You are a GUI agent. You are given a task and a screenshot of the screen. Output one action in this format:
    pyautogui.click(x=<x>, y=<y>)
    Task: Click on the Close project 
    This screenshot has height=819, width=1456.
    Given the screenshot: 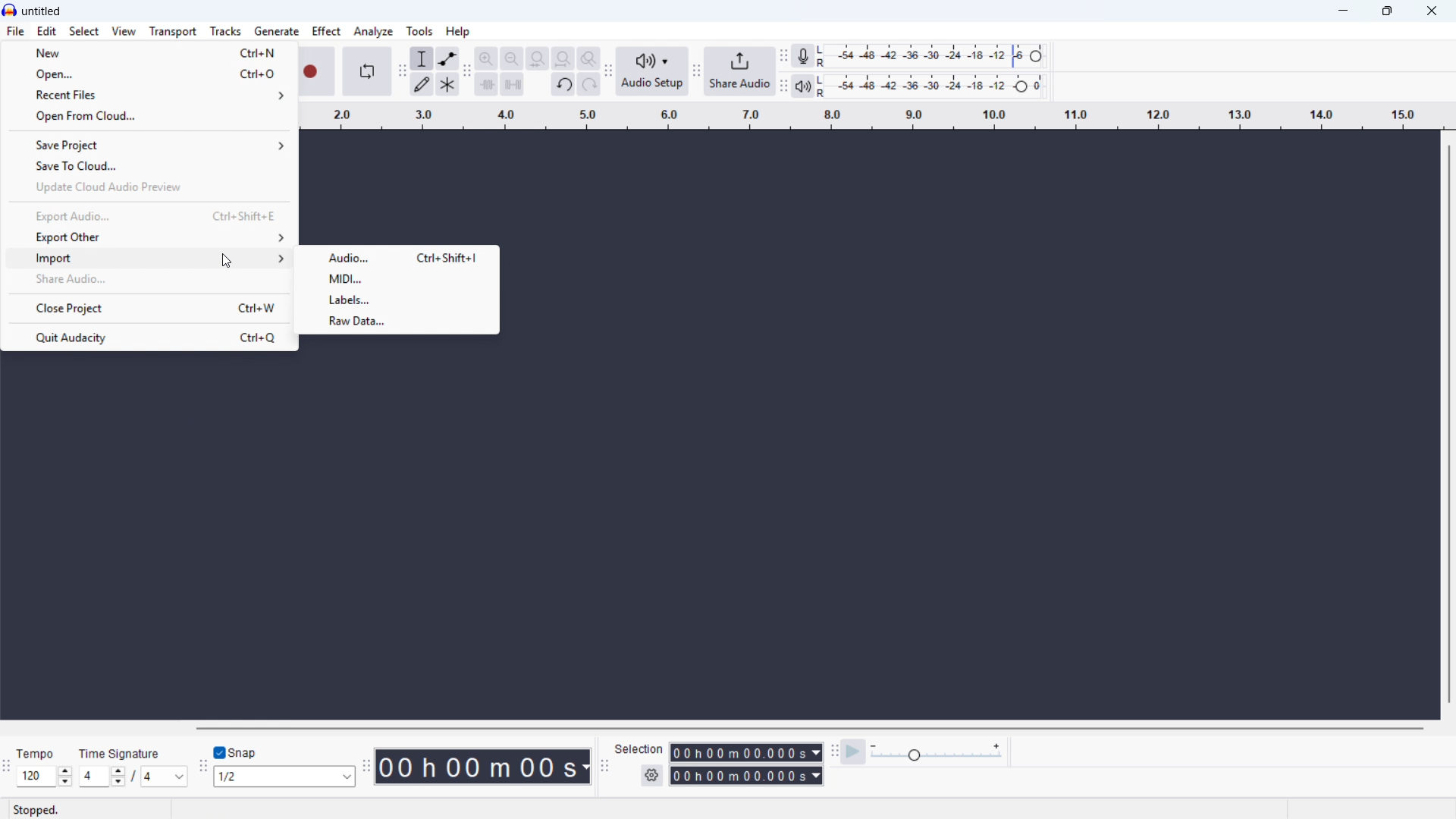 What is the action you would take?
    pyautogui.click(x=148, y=307)
    